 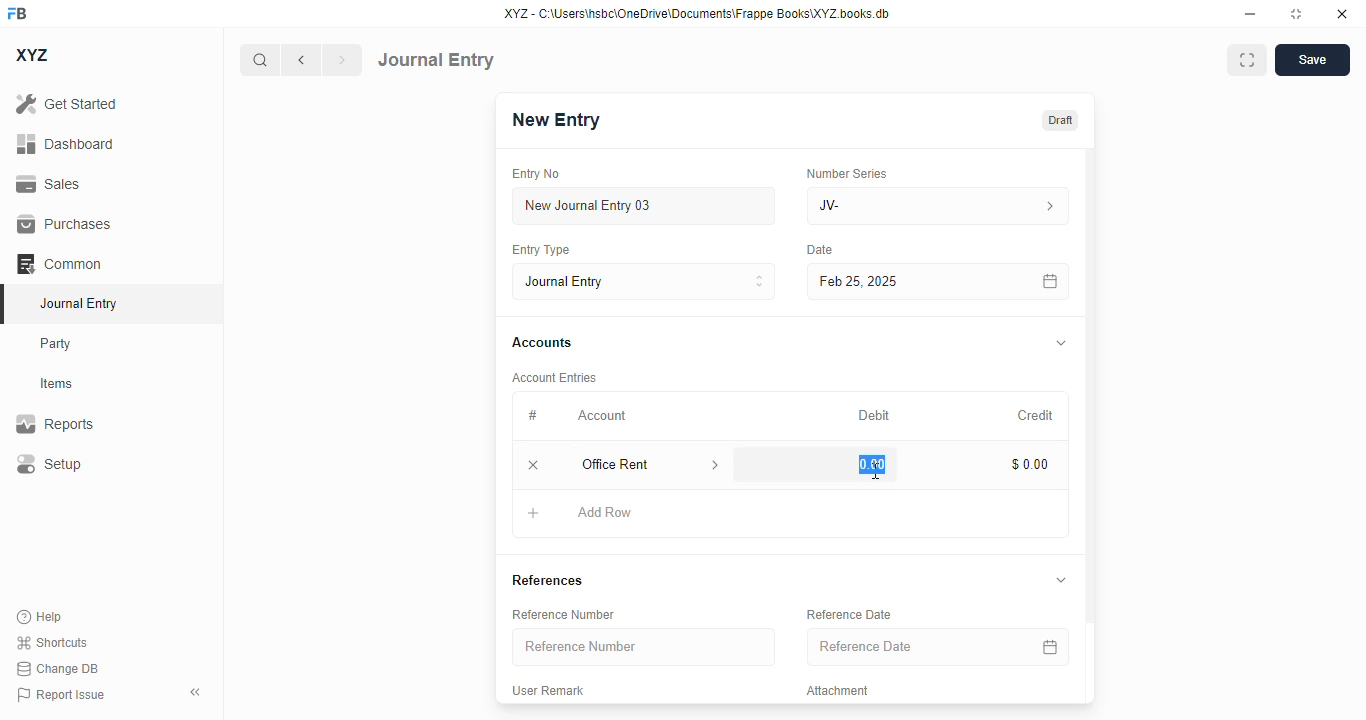 I want to click on feb 25, 2025, so click(x=910, y=282).